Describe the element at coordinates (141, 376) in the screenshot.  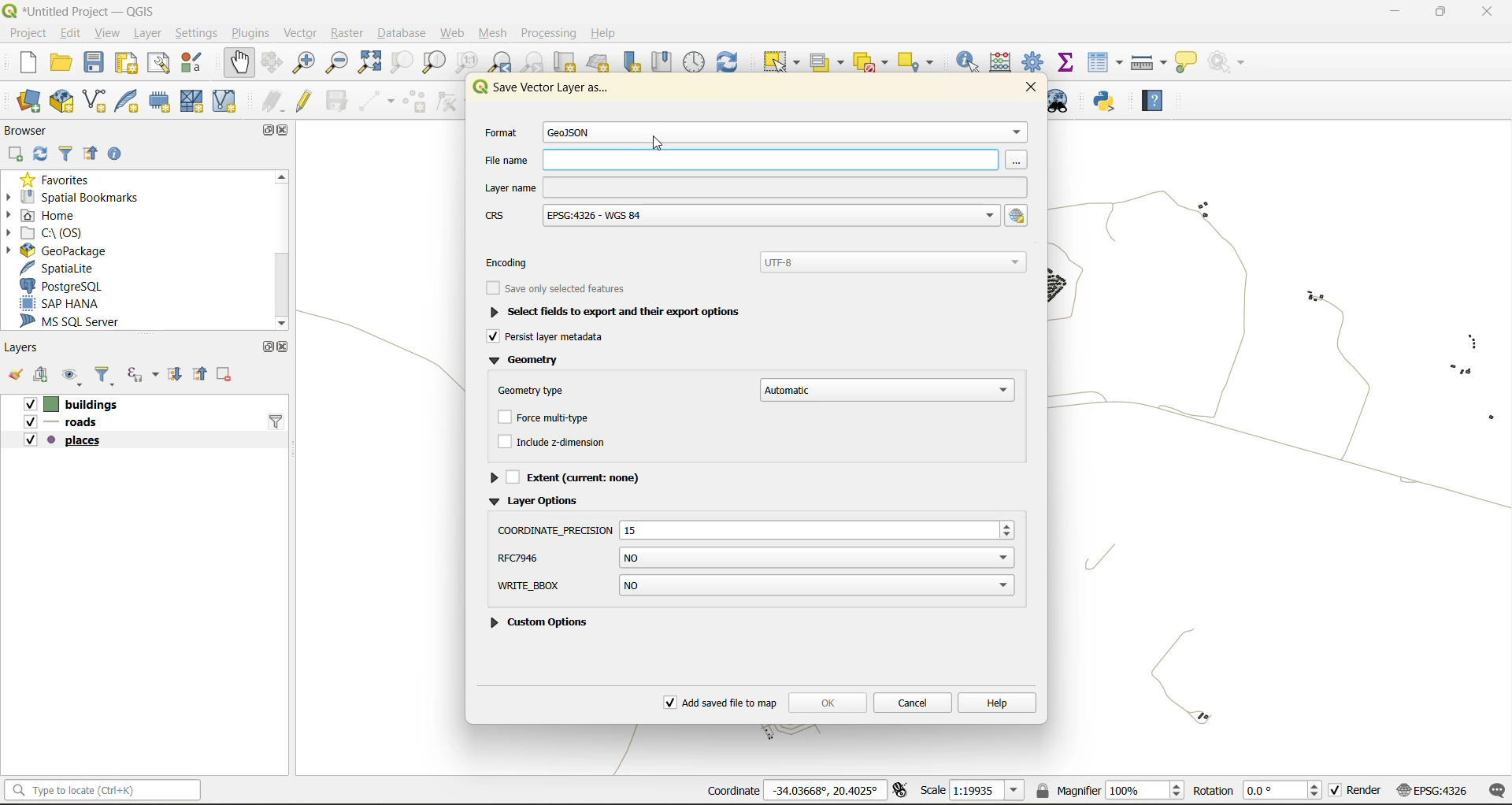
I see `filter by expression` at that location.